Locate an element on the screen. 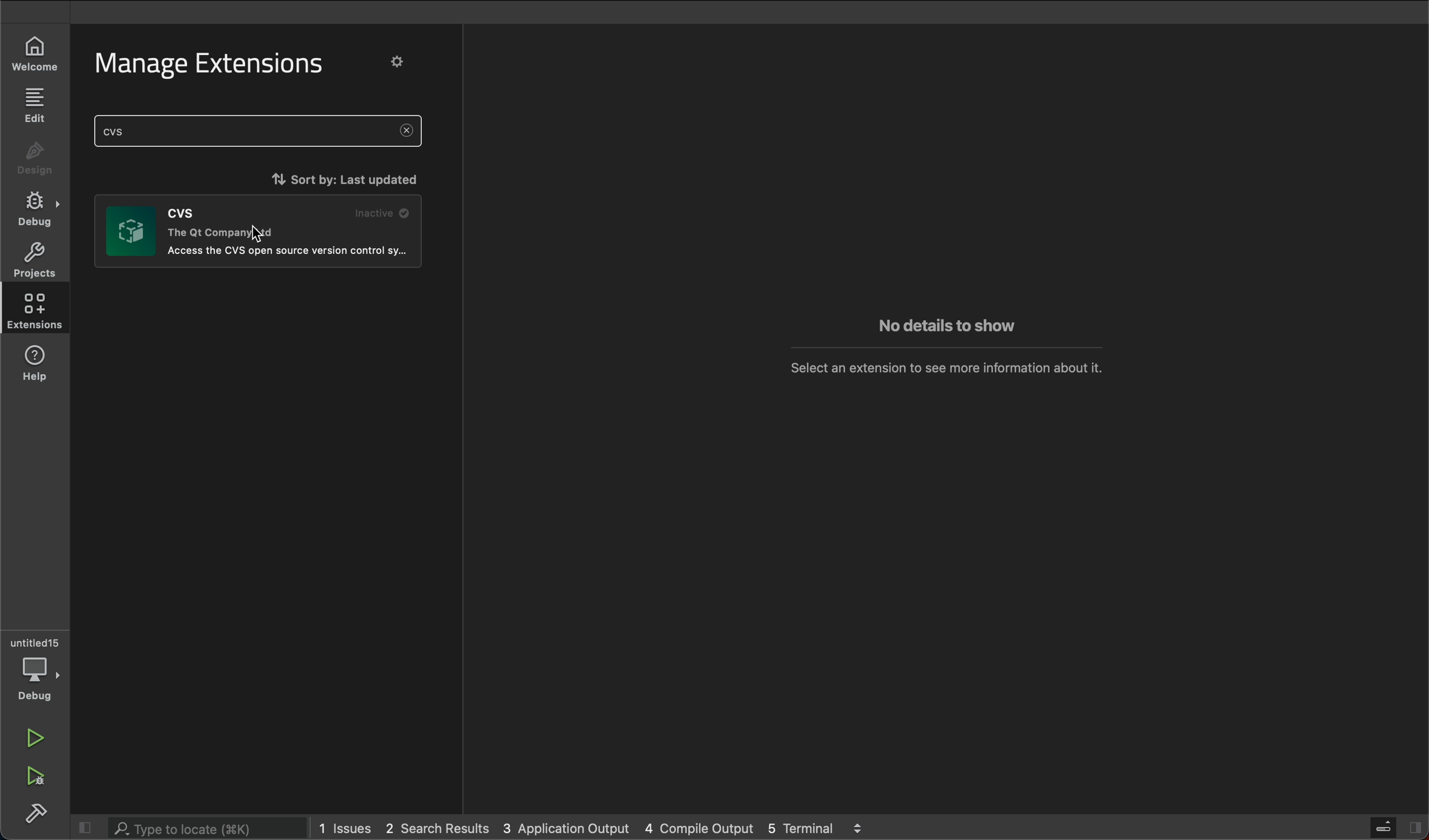  clear is located at coordinates (407, 131).